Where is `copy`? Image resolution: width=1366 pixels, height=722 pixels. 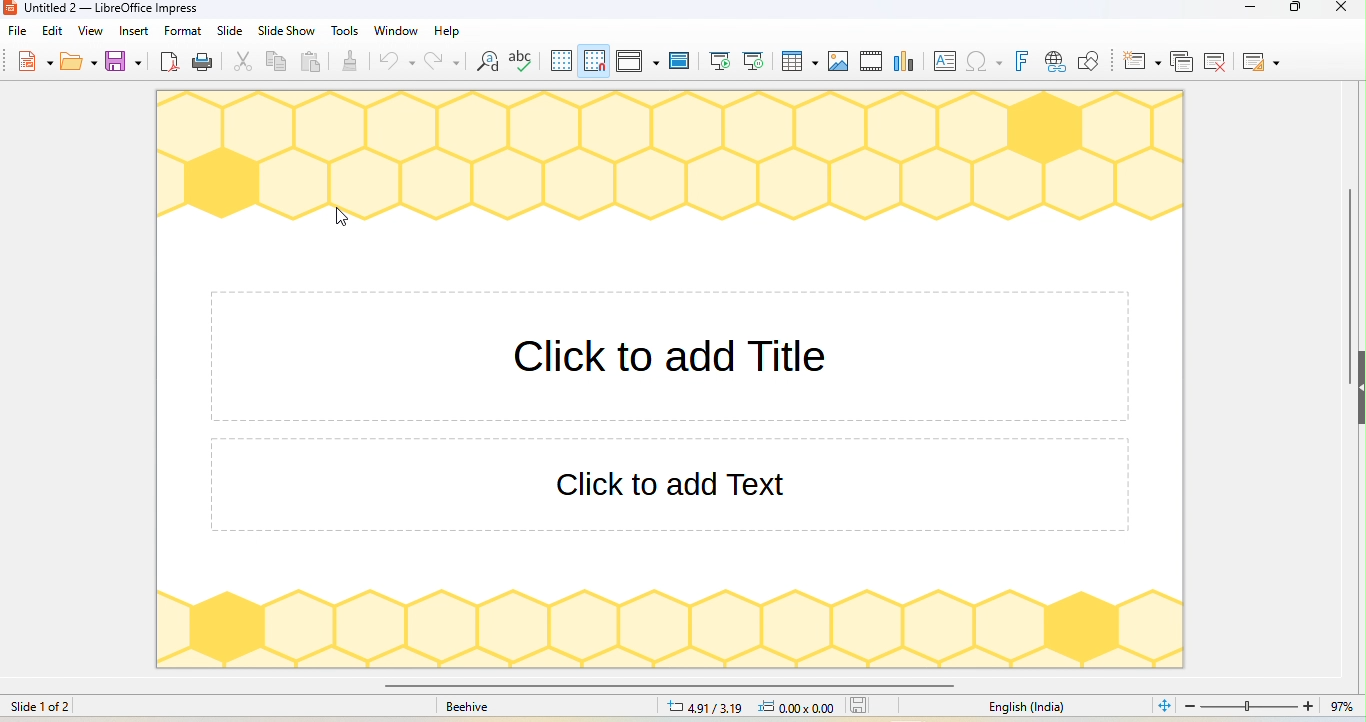
copy is located at coordinates (277, 61).